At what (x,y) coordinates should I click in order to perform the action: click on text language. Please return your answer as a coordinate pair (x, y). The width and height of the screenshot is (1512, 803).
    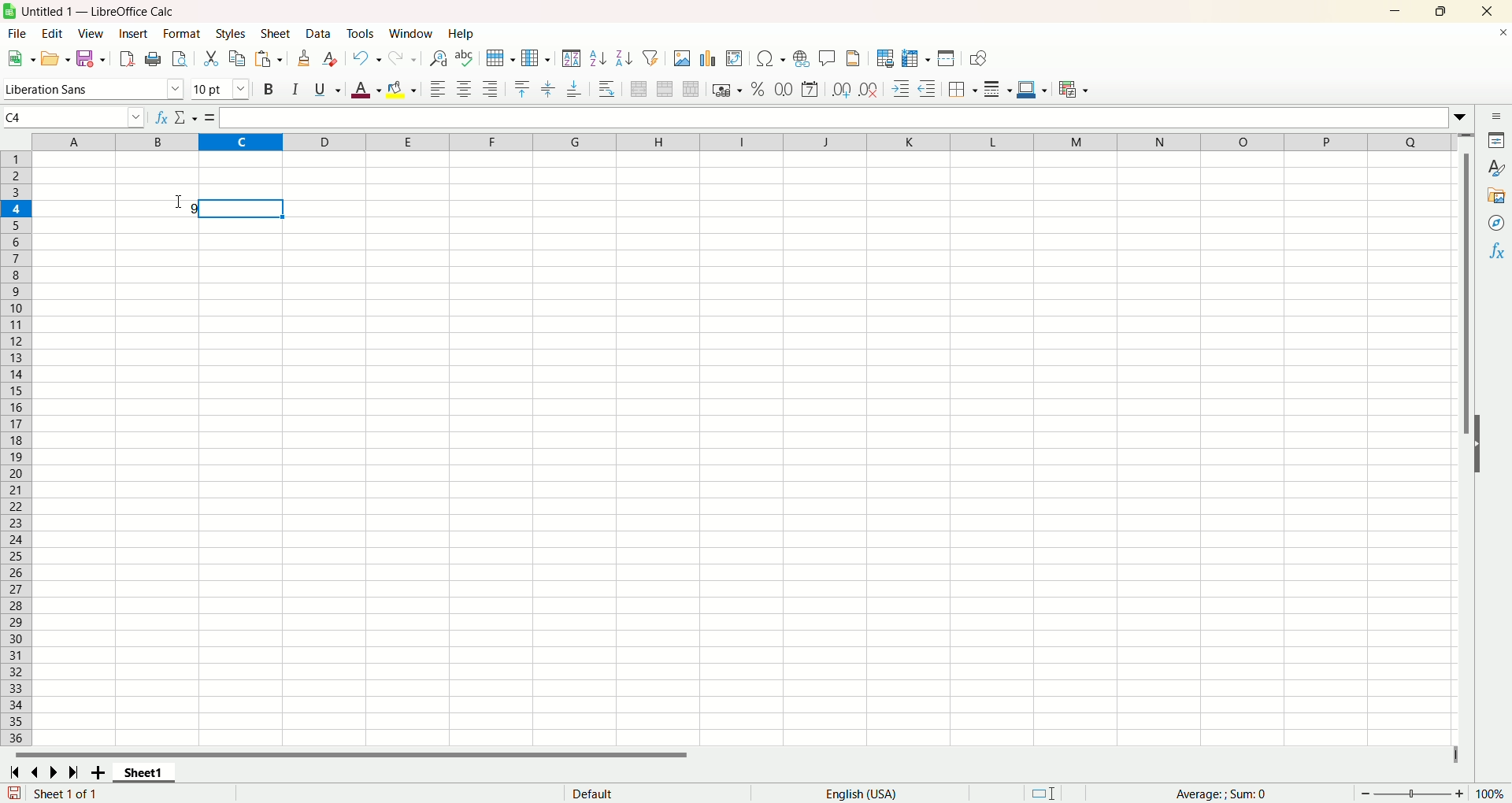
    Looking at the image, I should click on (860, 794).